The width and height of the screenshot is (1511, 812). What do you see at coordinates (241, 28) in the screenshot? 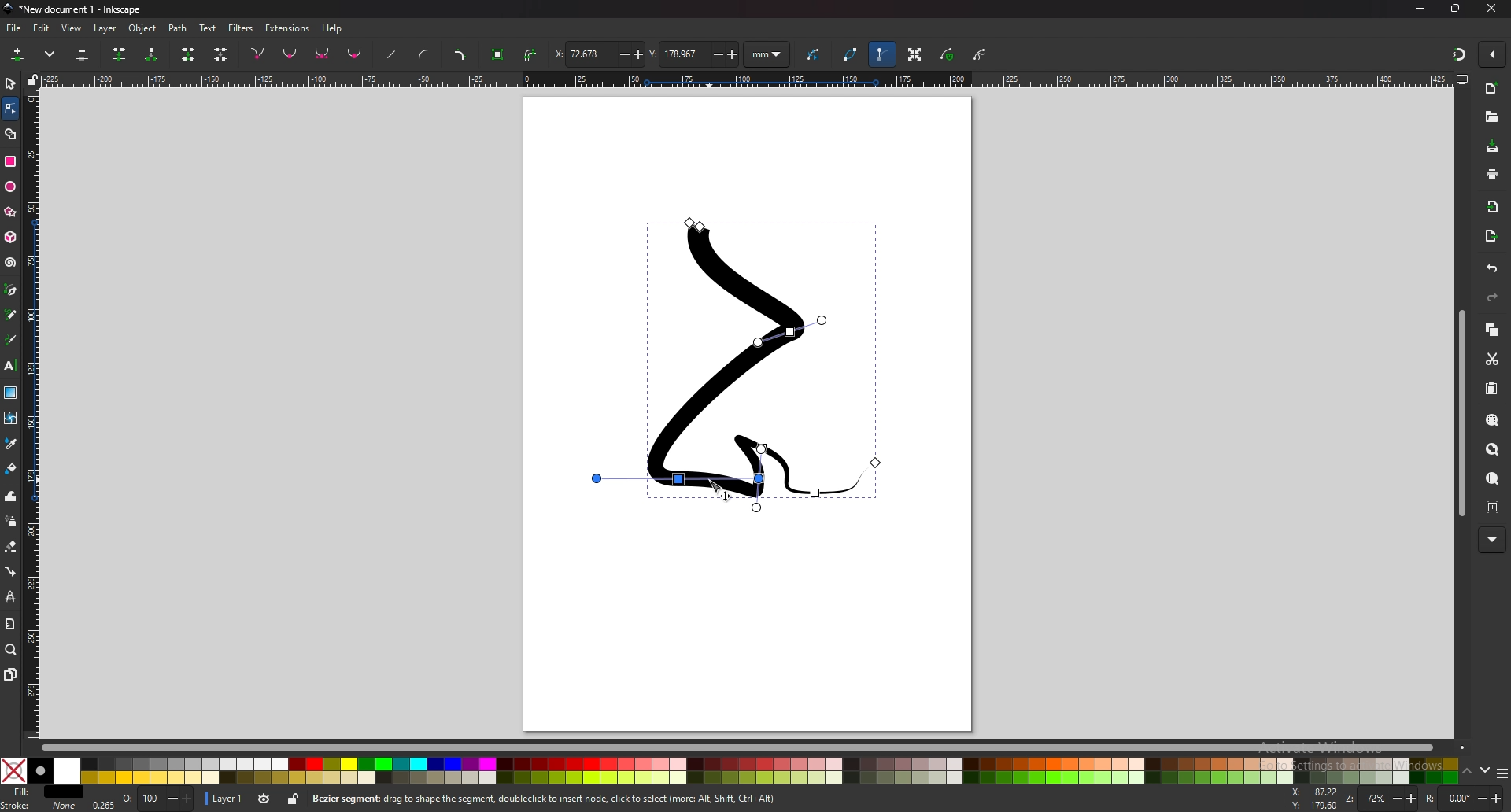
I see `filters` at bounding box center [241, 28].